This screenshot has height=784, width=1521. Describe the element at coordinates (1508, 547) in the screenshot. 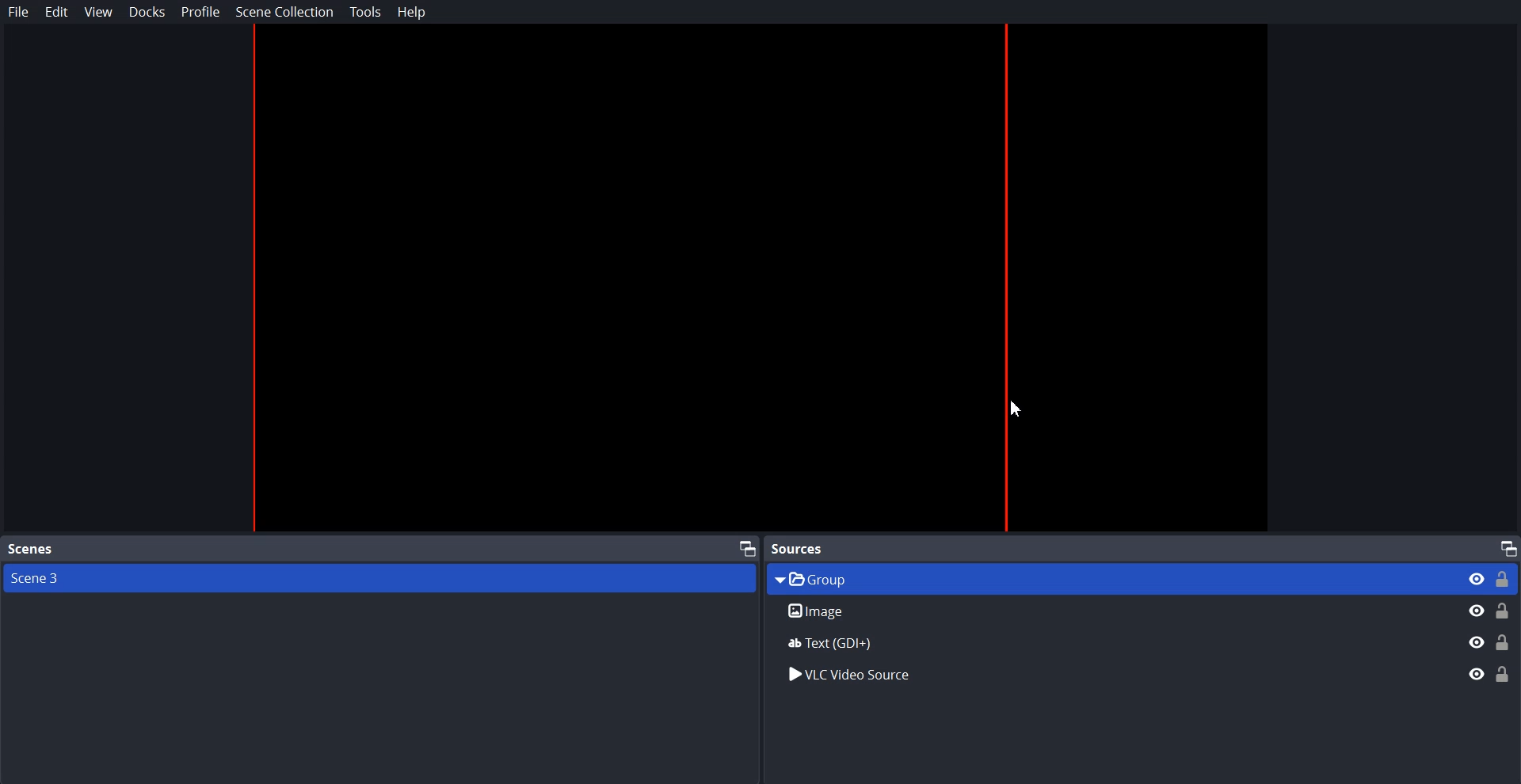

I see `Maximize` at that location.